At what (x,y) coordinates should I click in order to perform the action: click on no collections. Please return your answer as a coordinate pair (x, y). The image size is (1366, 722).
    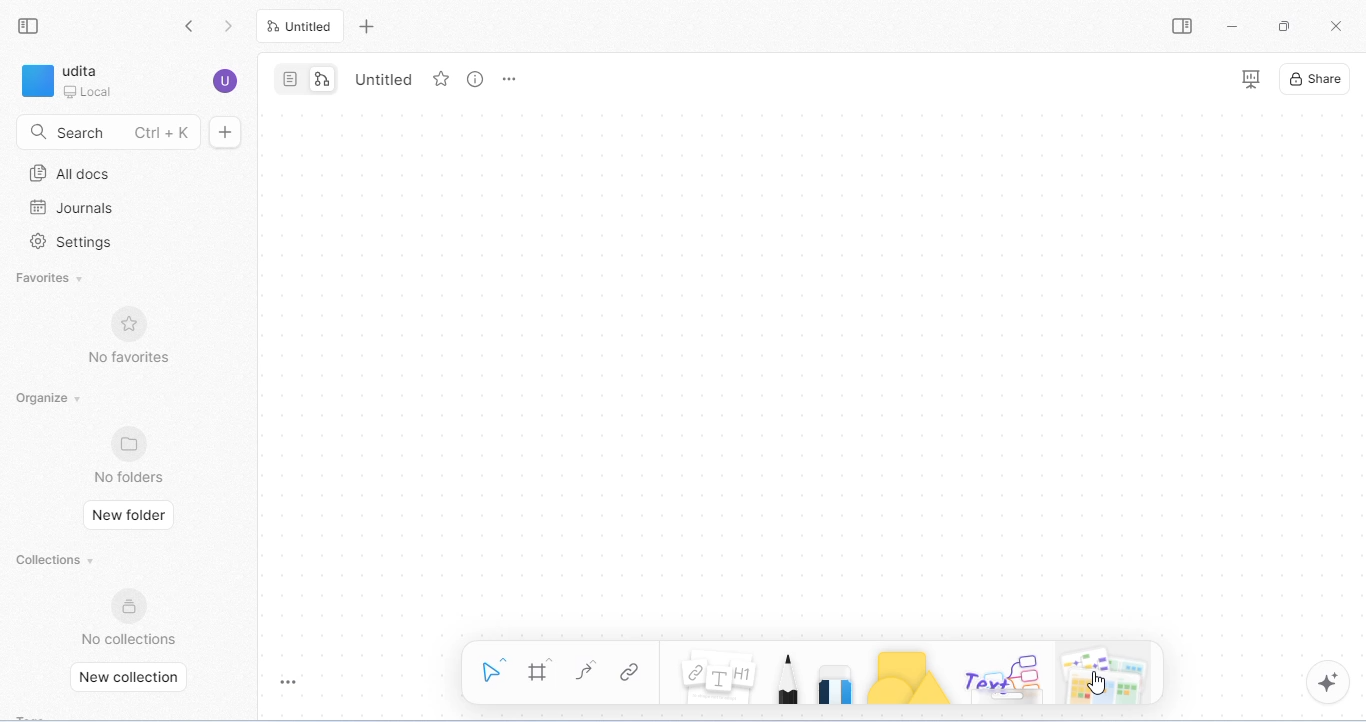
    Looking at the image, I should click on (129, 616).